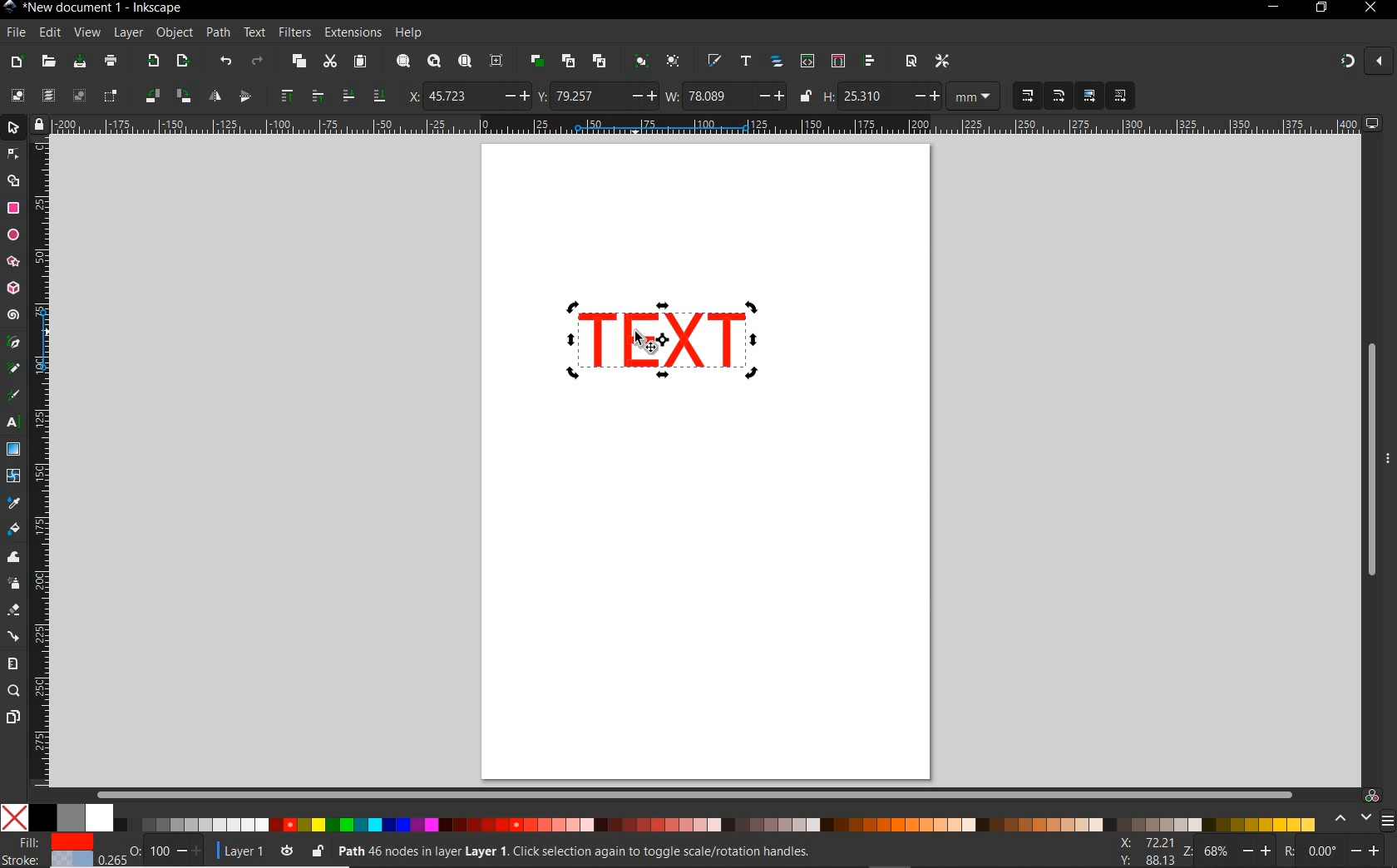 The height and width of the screenshot is (868, 1397). Describe the element at coordinates (15, 131) in the screenshot. I see `SELECTOR TOOL` at that location.